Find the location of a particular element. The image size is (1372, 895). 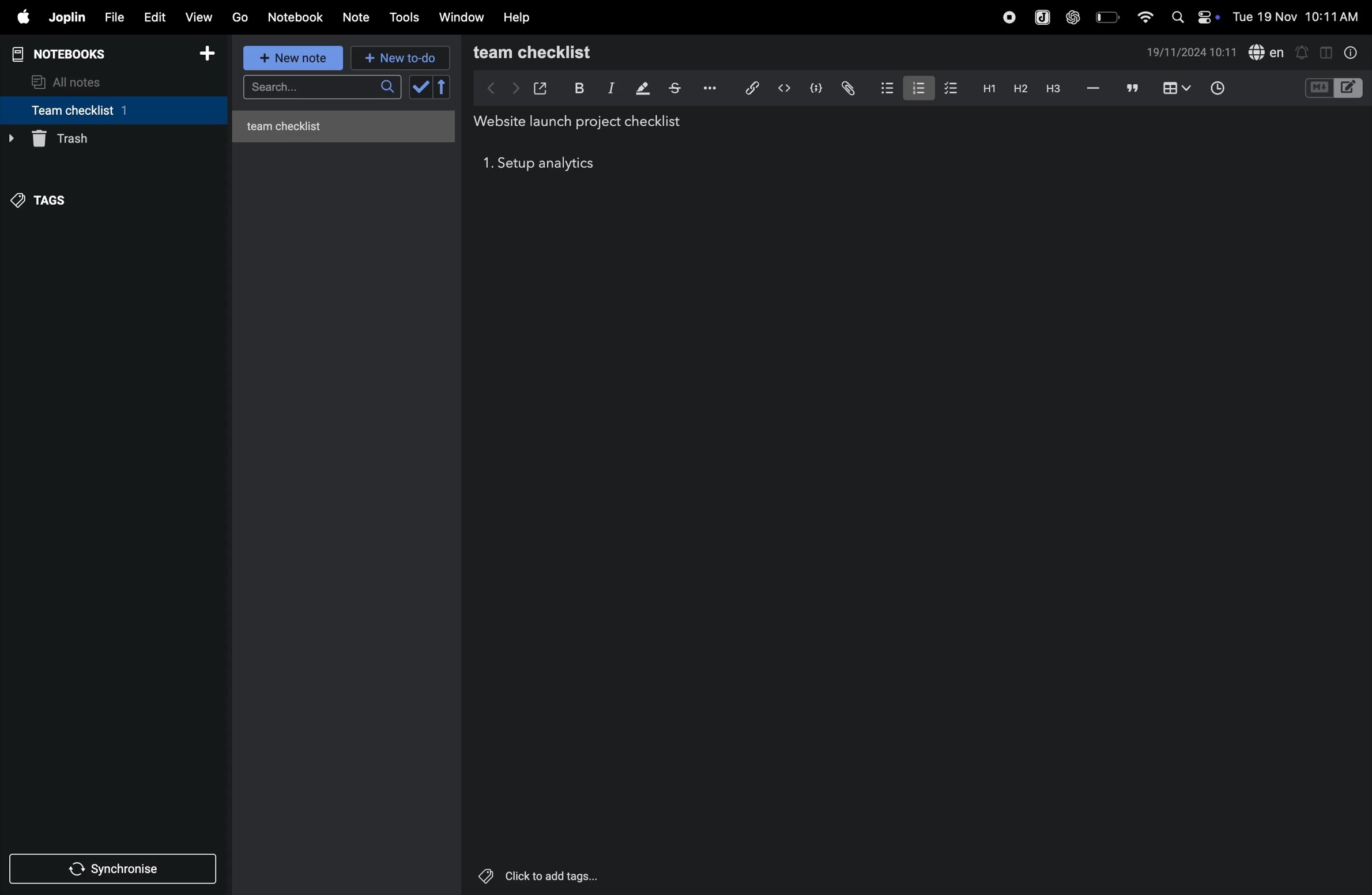

note is located at coordinates (361, 16).